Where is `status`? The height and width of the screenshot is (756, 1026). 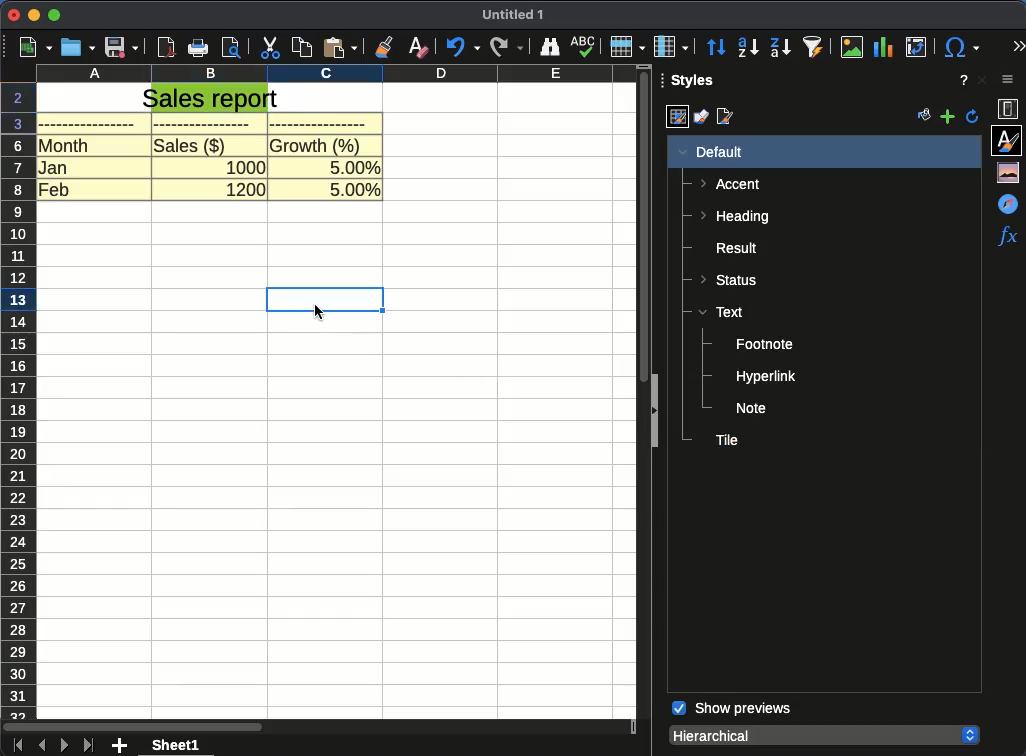 status is located at coordinates (732, 278).